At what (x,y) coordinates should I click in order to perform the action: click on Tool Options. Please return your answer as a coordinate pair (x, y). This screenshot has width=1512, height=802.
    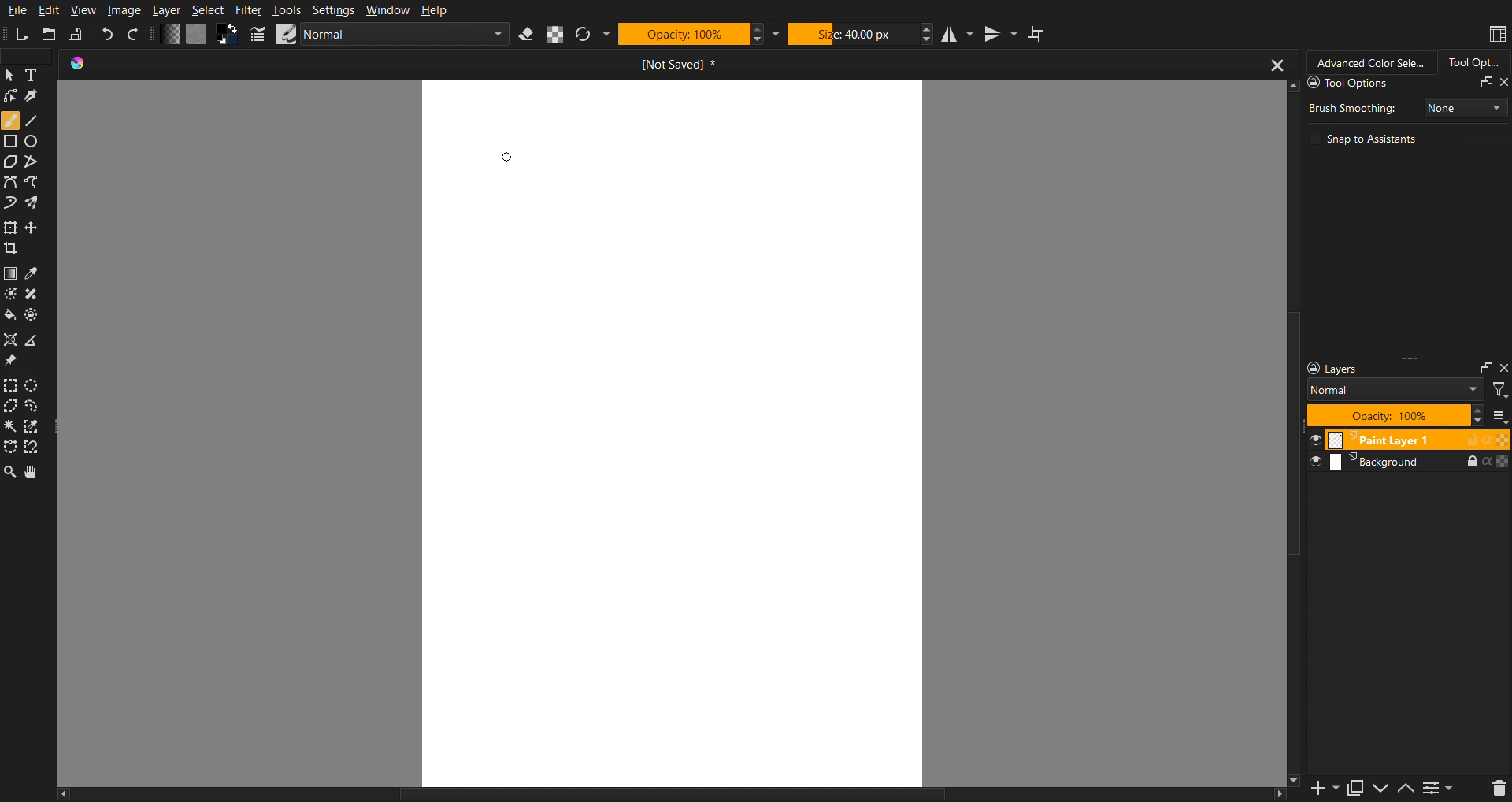
    Looking at the image, I should click on (1381, 84).